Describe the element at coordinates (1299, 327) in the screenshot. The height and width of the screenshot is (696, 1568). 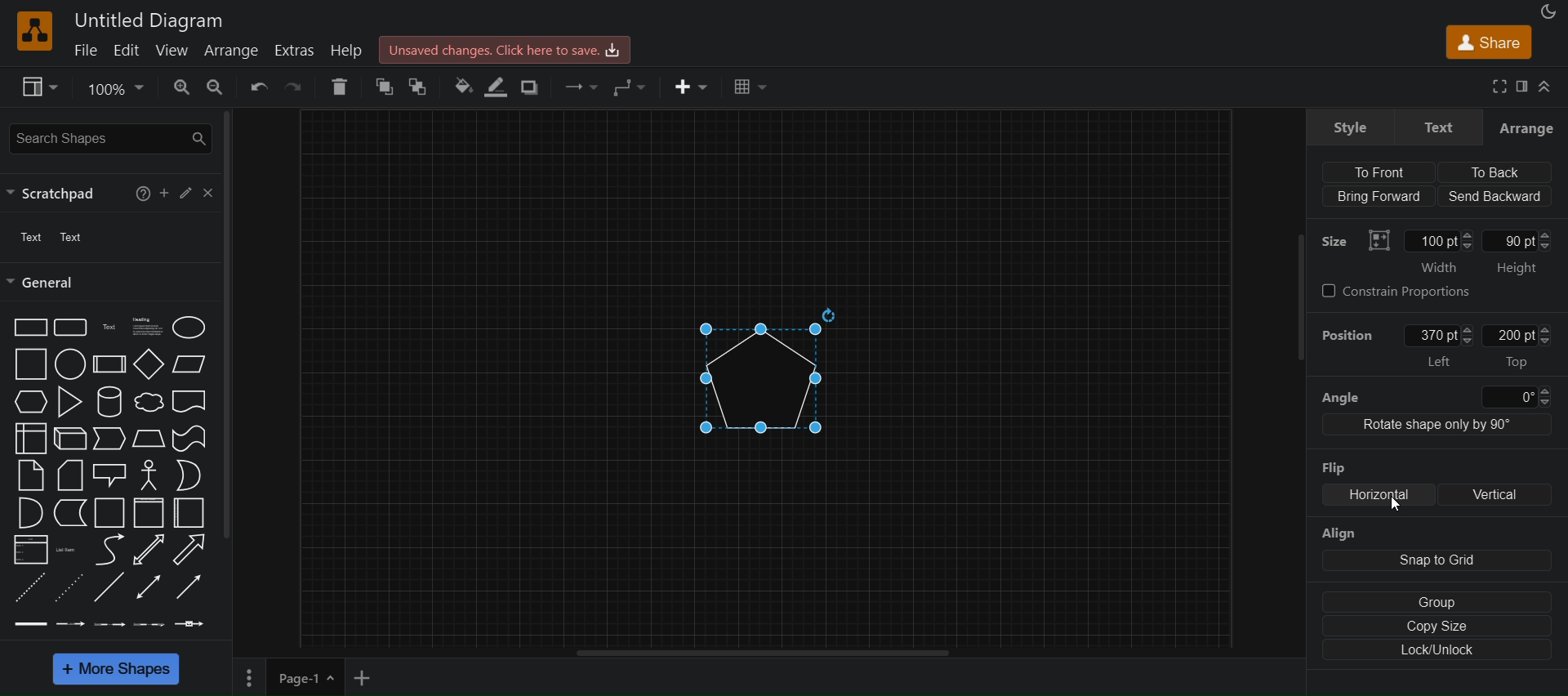
I see `vertical scroll bar` at that location.